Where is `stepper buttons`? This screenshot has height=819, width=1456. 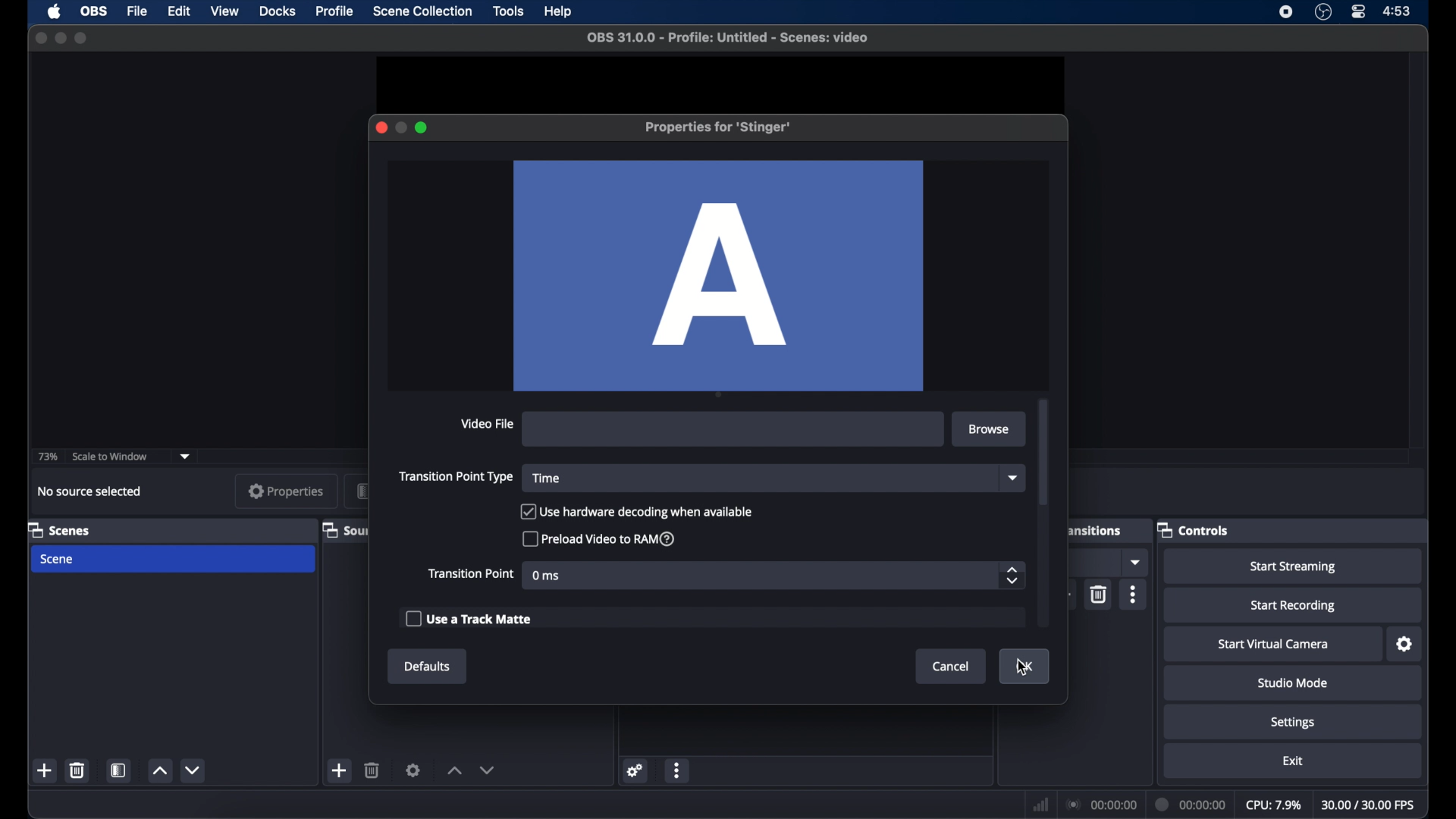 stepper buttons is located at coordinates (1012, 576).